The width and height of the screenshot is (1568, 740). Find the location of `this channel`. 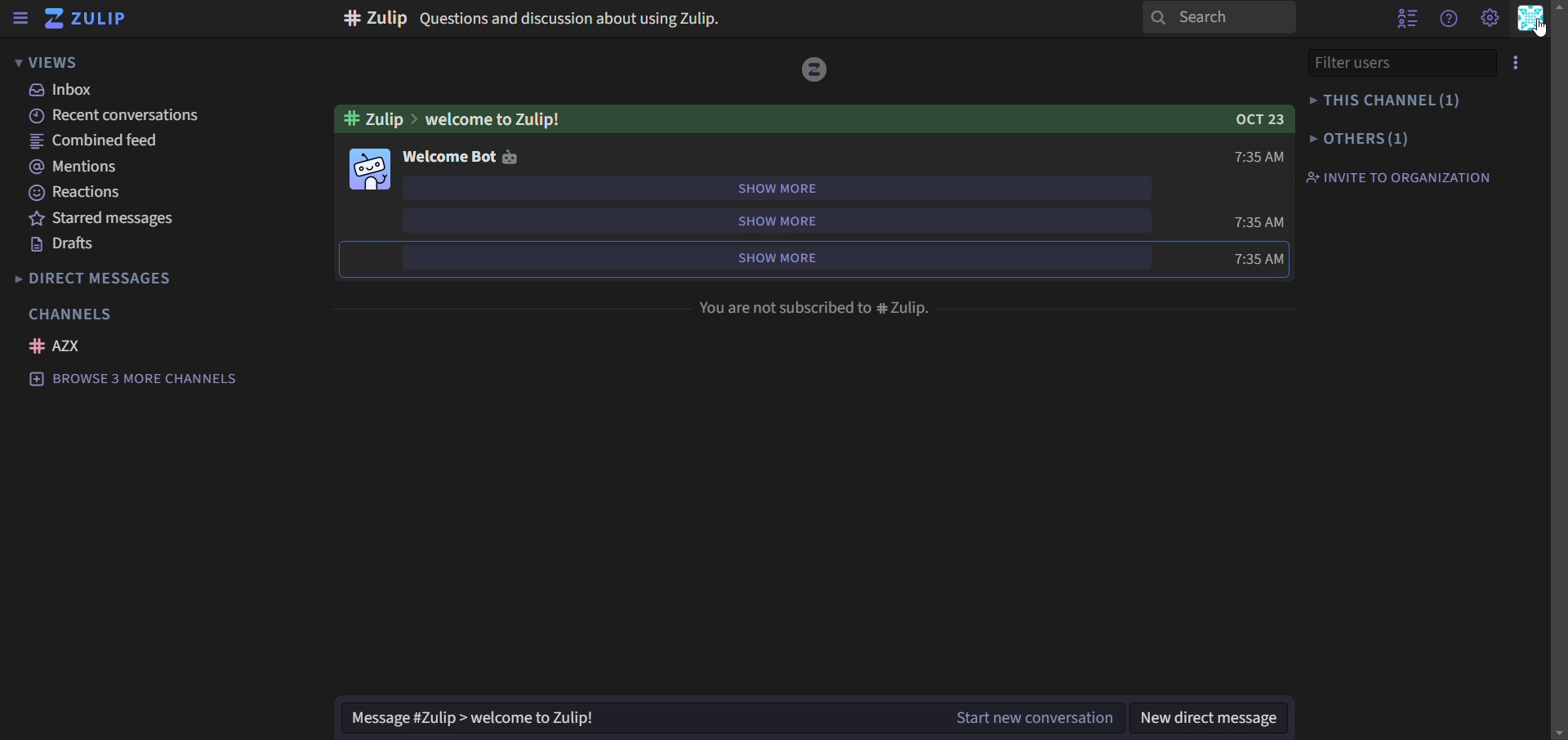

this channel is located at coordinates (1383, 99).